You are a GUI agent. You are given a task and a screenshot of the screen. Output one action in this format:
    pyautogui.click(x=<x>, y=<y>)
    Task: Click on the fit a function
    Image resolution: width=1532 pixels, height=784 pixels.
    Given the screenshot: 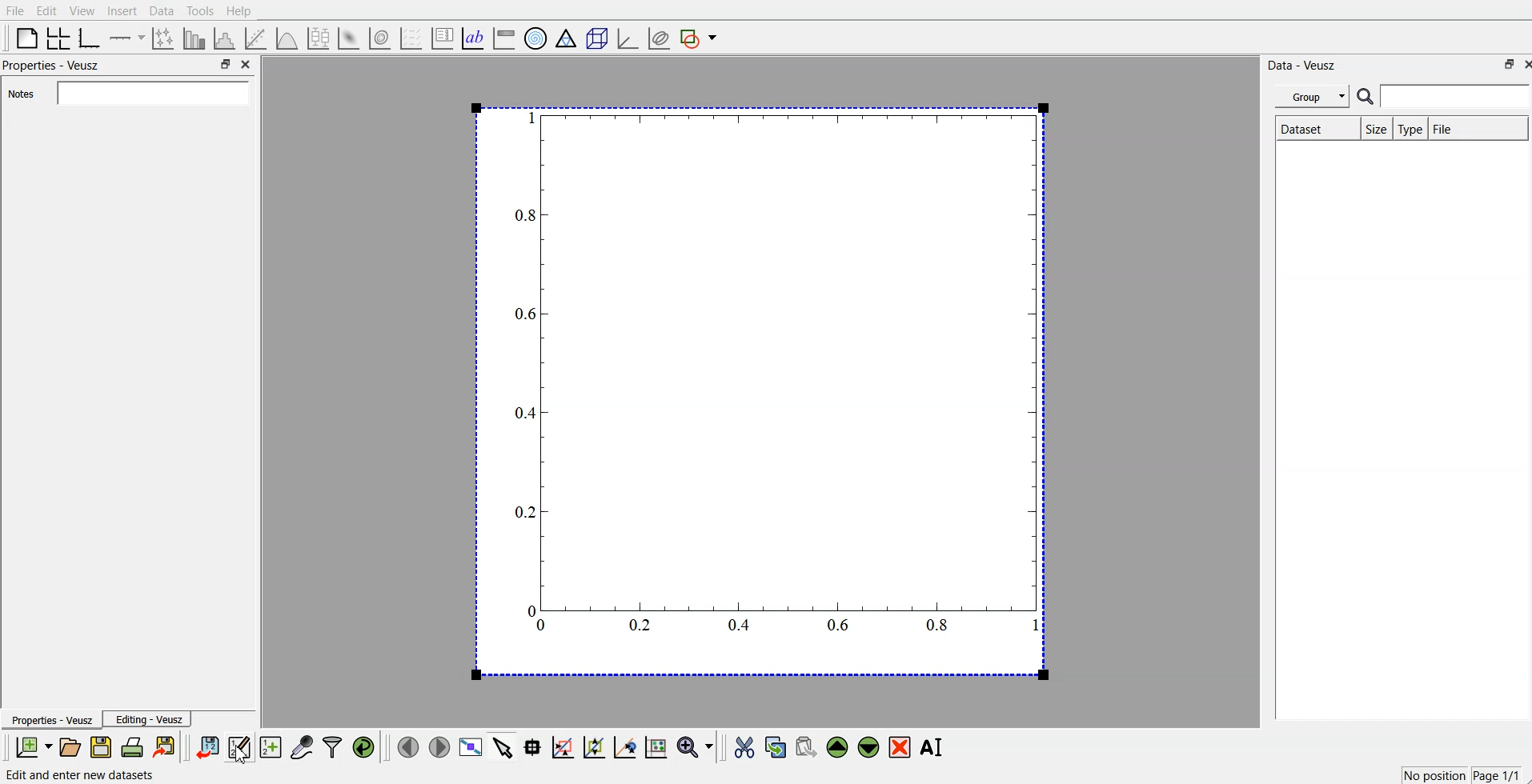 What is the action you would take?
    pyautogui.click(x=258, y=37)
    